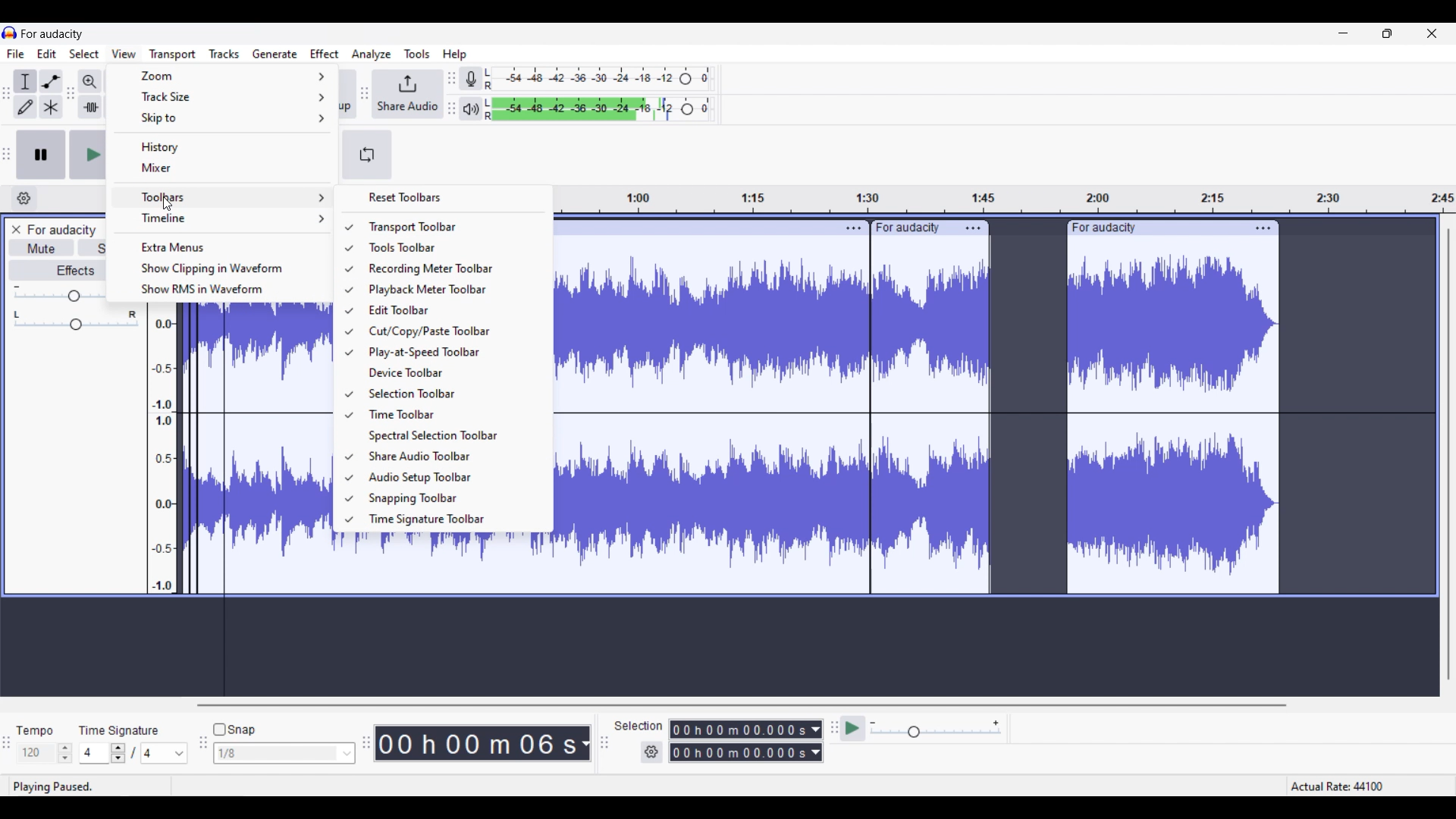 This screenshot has height=819, width=1456. I want to click on Play/Play once, so click(87, 154).